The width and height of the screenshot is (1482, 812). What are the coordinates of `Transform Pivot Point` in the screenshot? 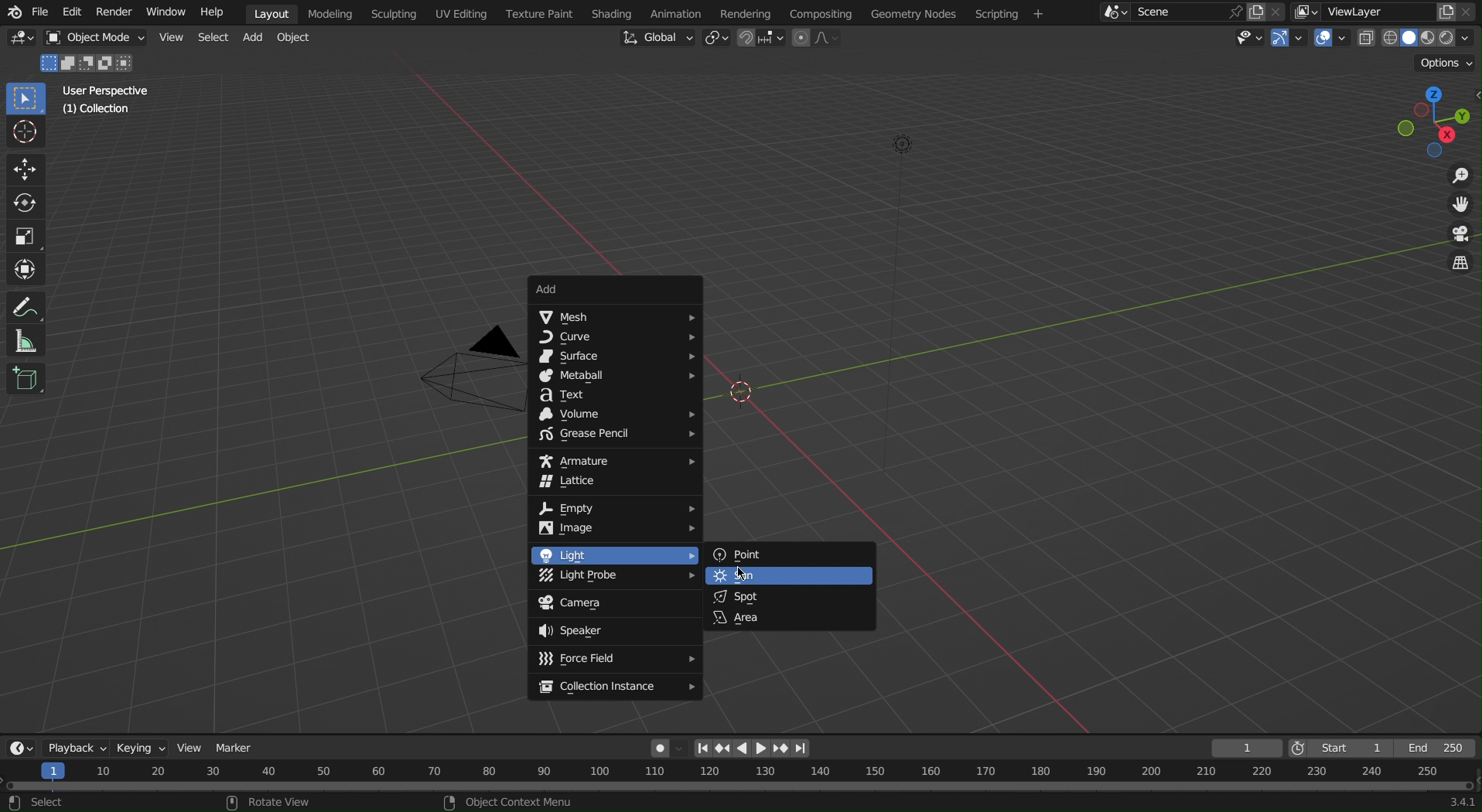 It's located at (716, 39).